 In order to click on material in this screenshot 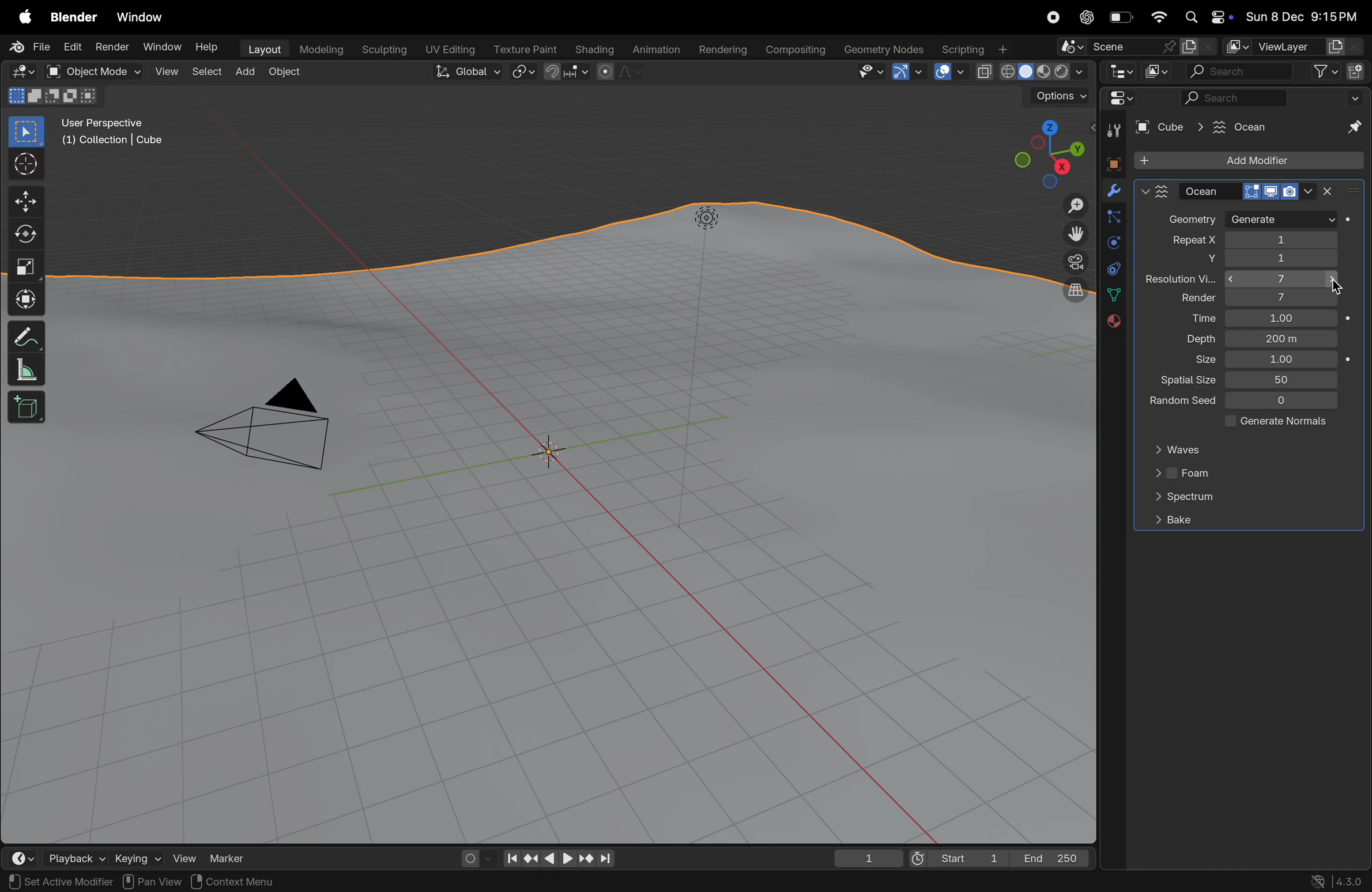, I will do `click(1111, 322)`.